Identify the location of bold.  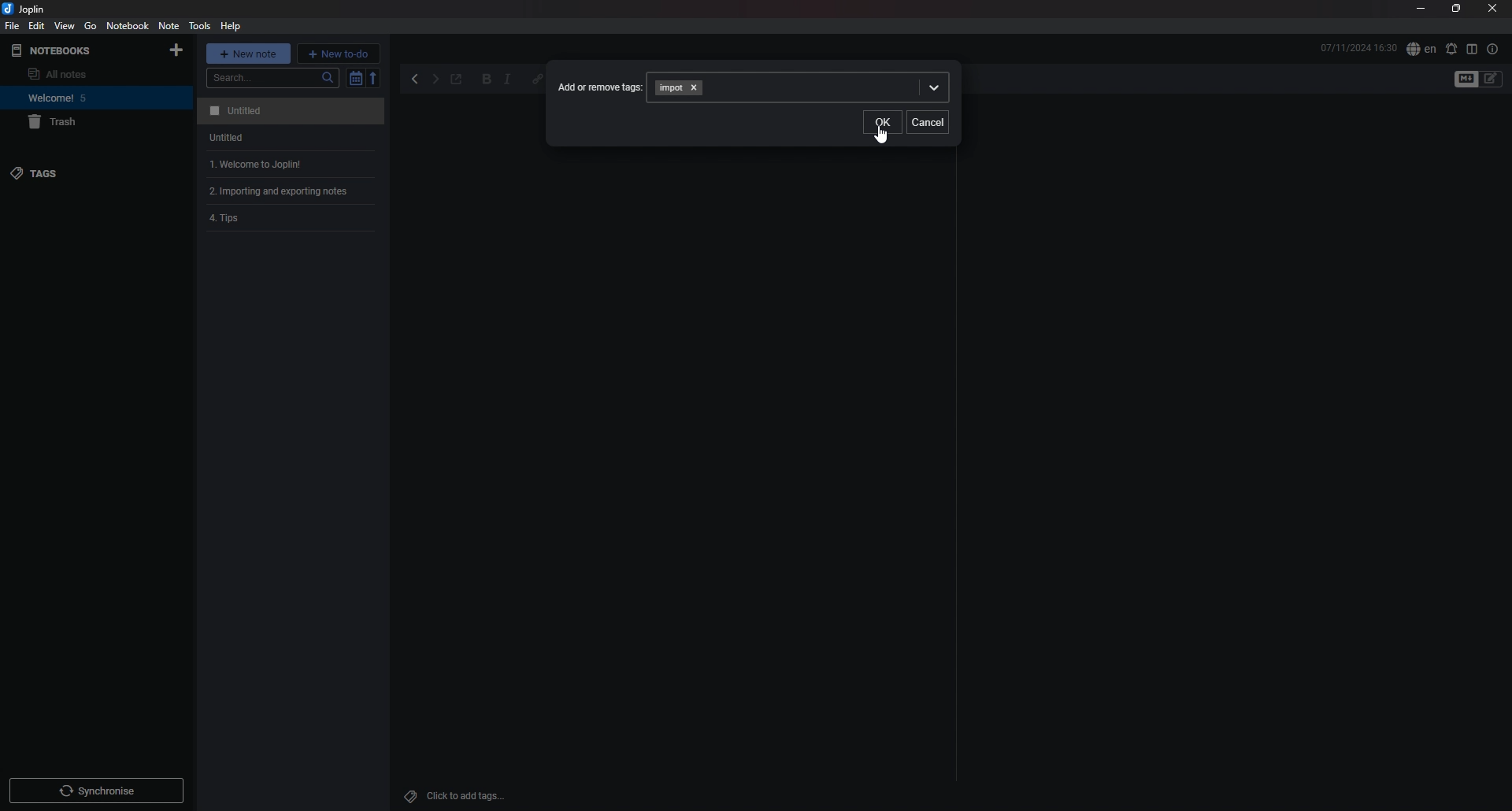
(487, 80).